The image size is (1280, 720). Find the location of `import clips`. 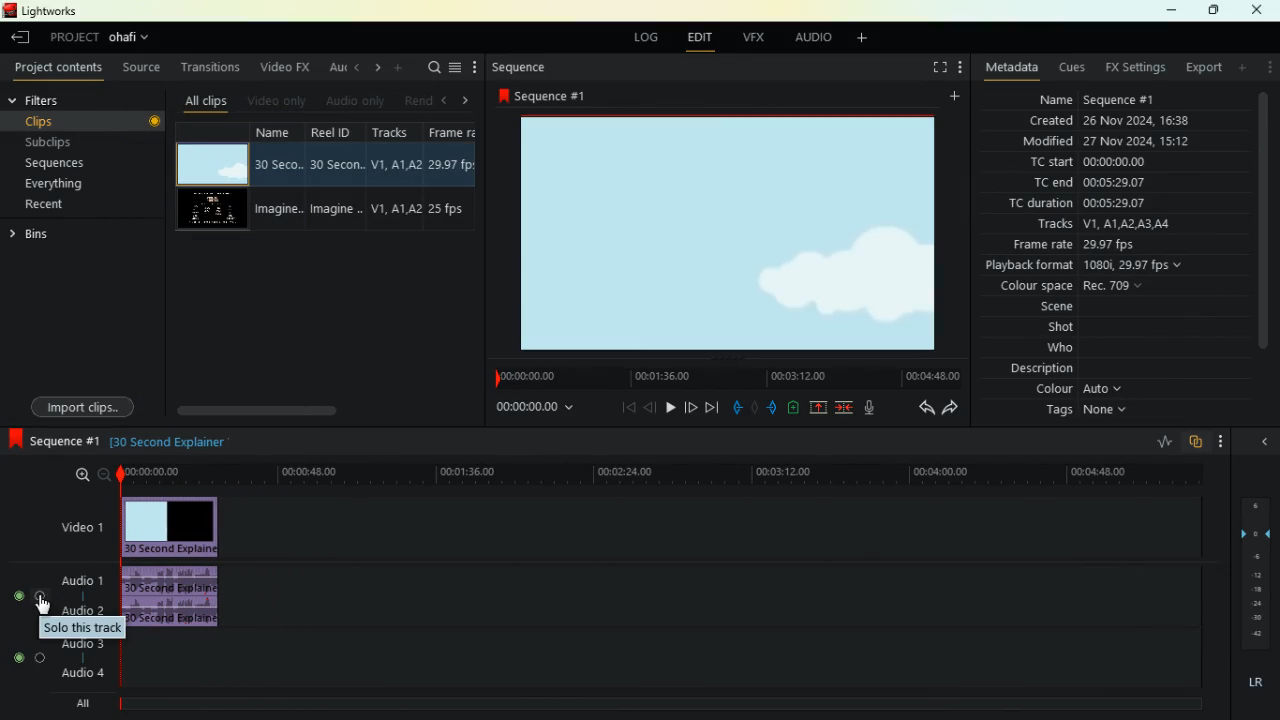

import clips is located at coordinates (81, 405).